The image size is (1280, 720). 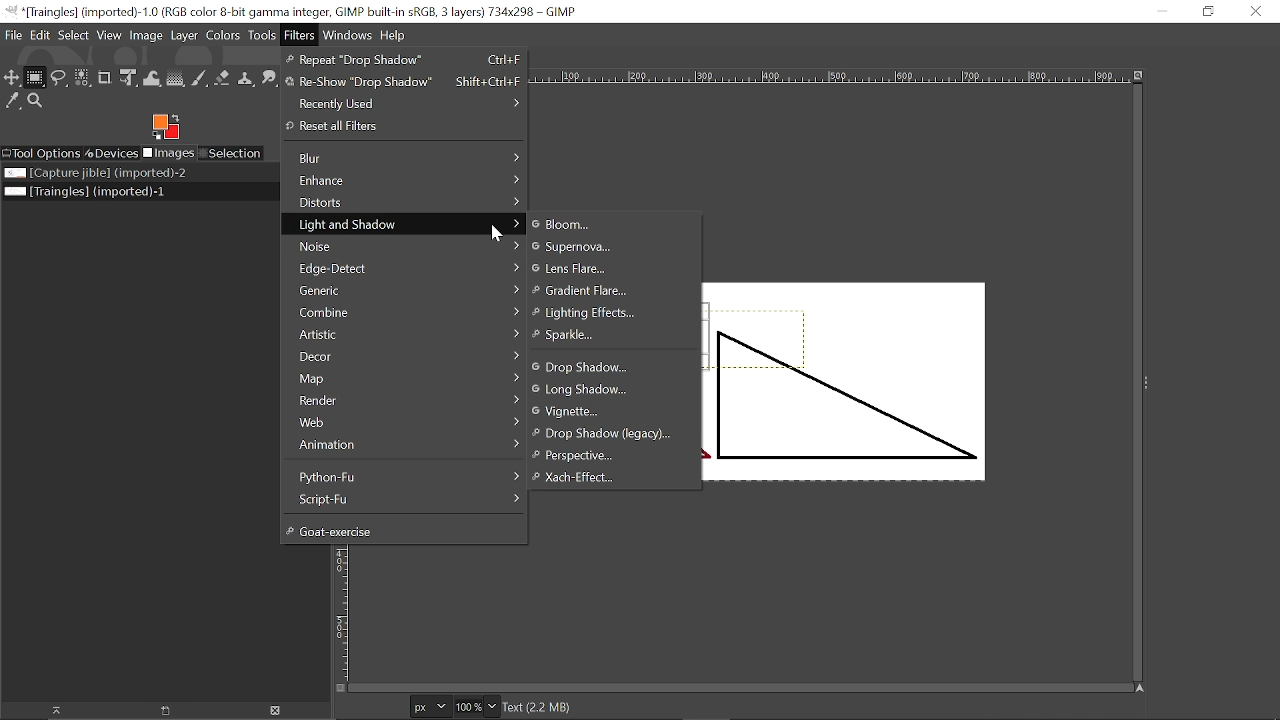 I want to click on Light and shadow, so click(x=408, y=224).